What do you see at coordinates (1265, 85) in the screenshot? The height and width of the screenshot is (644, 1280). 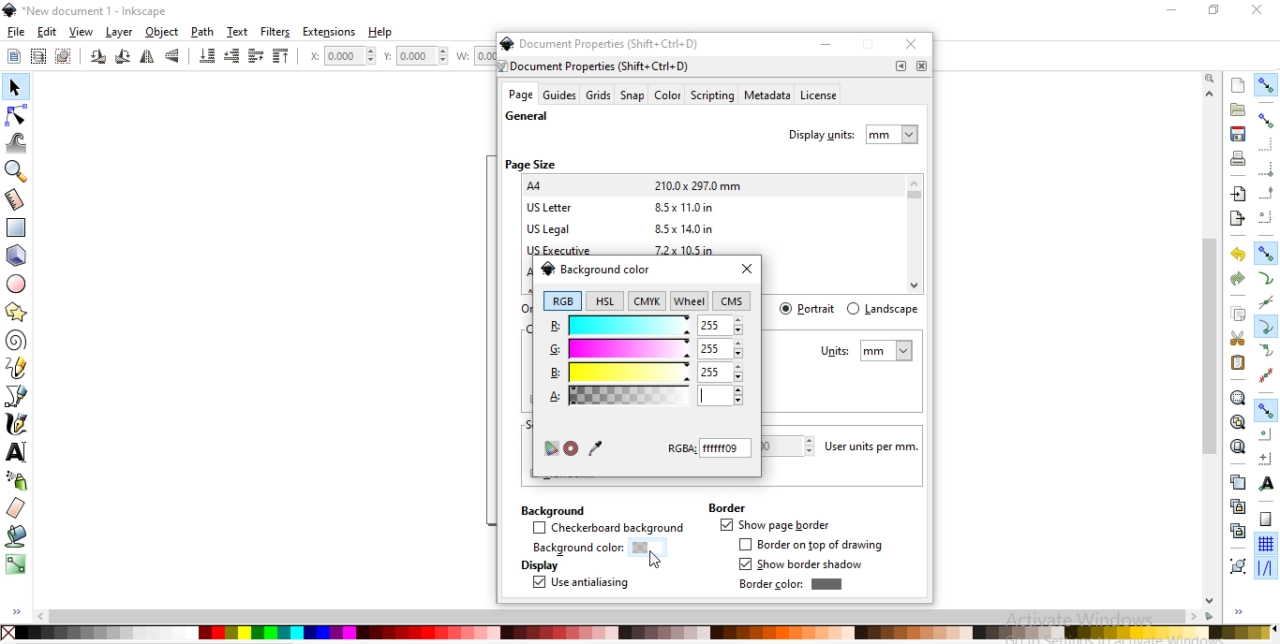 I see `enable snapping` at bounding box center [1265, 85].